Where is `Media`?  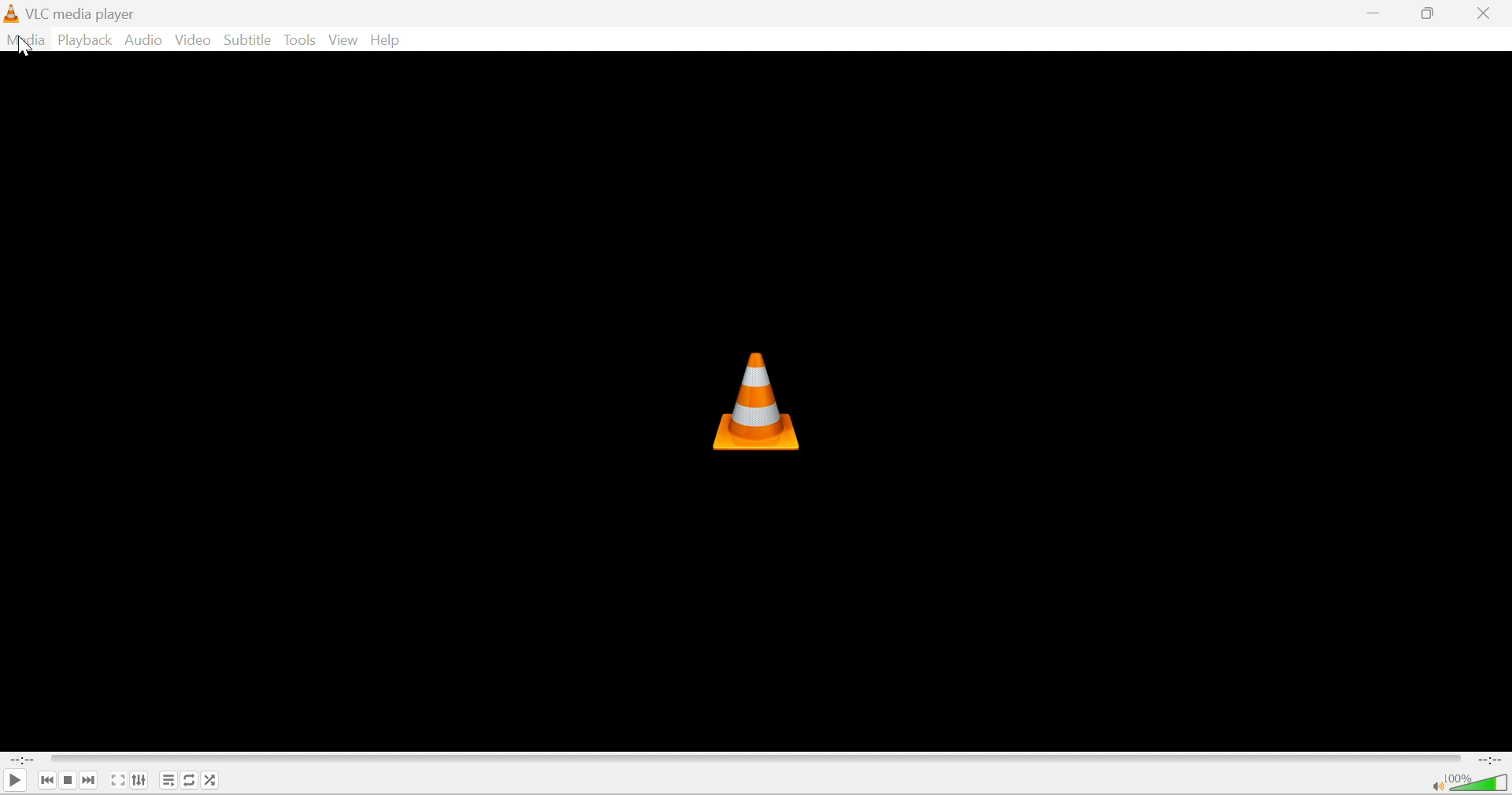 Media is located at coordinates (29, 42).